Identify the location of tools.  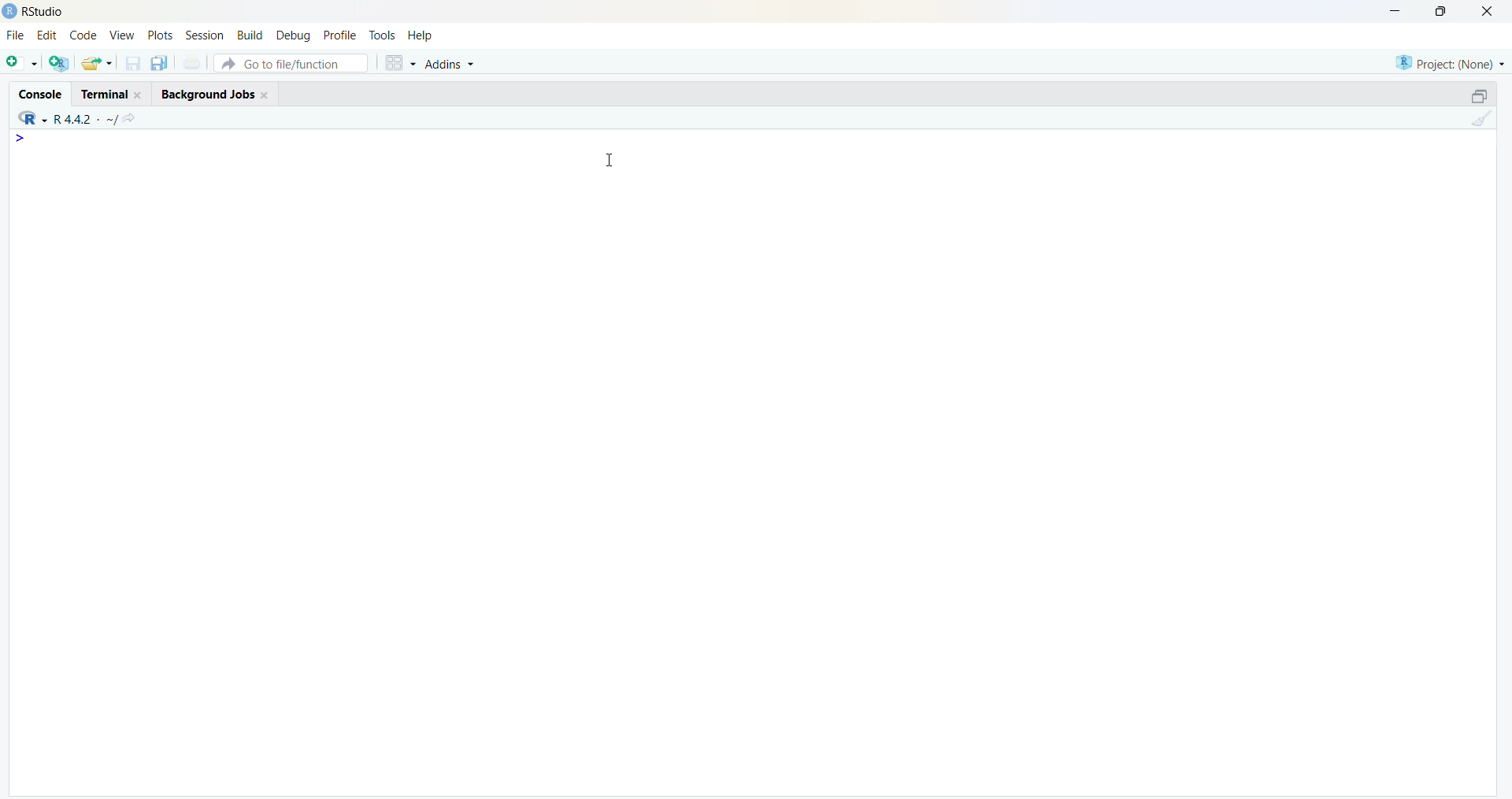
(384, 36).